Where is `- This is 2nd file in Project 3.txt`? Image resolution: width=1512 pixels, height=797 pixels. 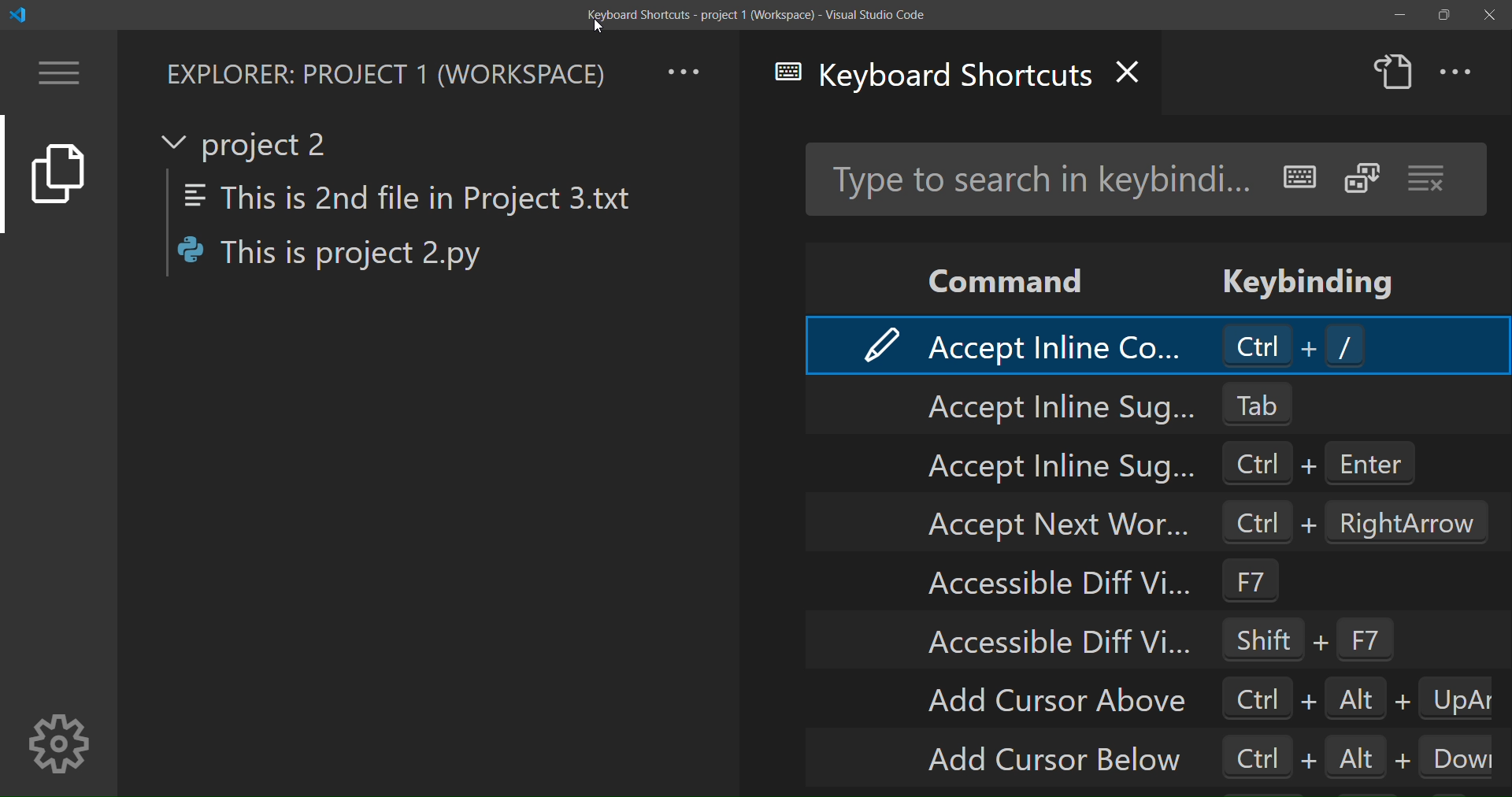
- This is 2nd file in Project 3.txt is located at coordinates (425, 197).